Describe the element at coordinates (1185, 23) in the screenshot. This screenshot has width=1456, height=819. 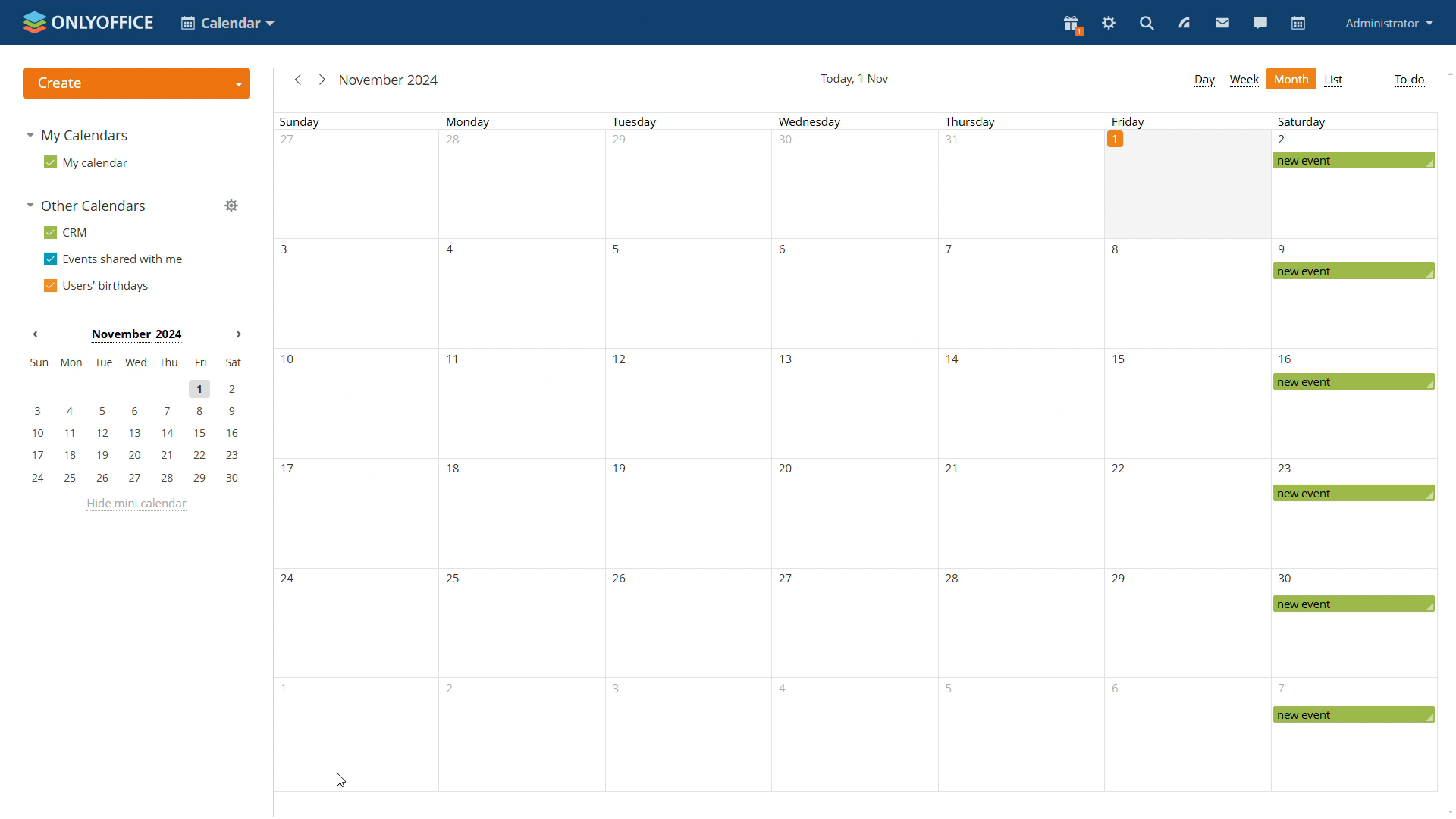
I see `view` at that location.